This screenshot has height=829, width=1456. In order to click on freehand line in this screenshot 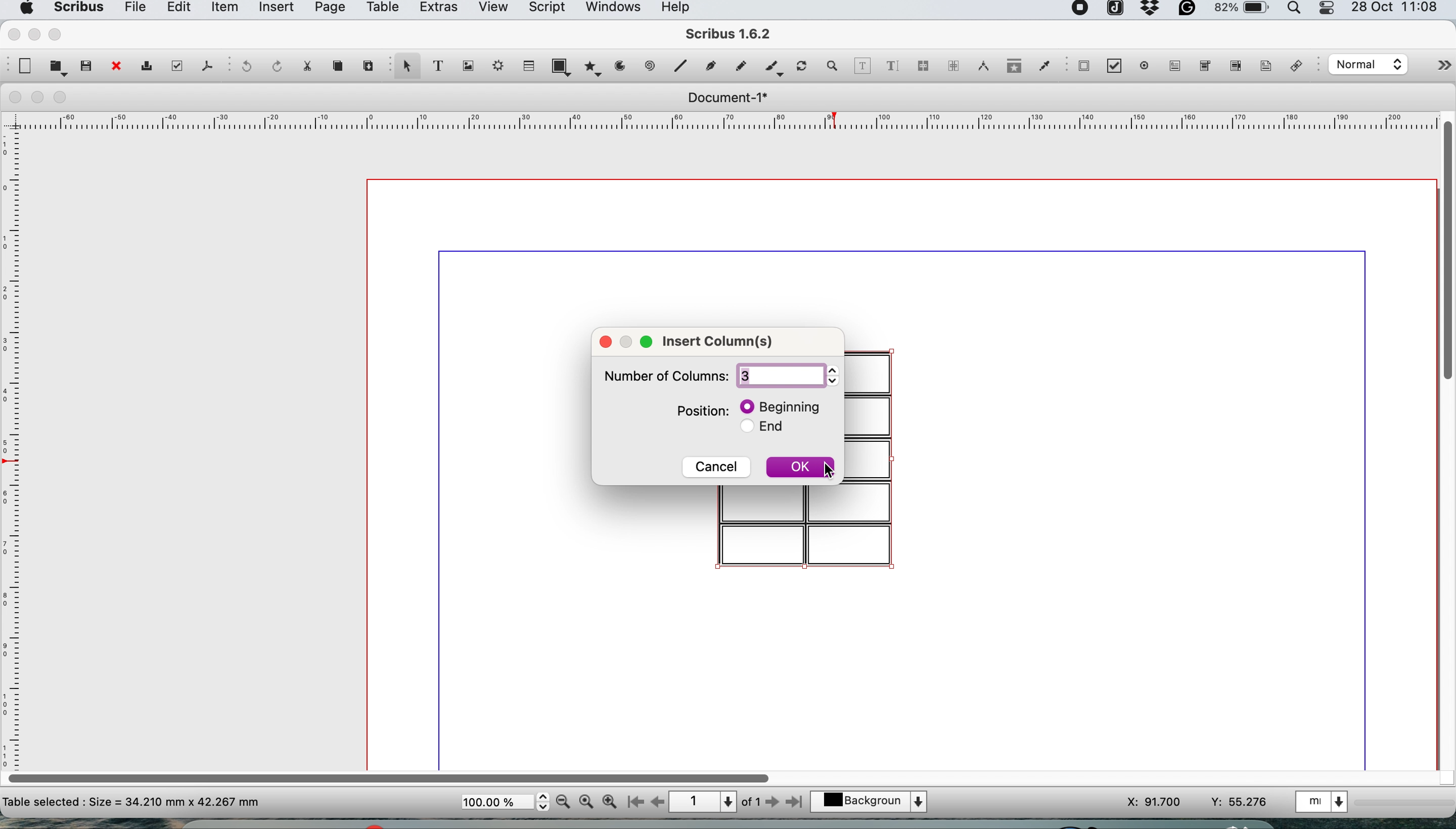, I will do `click(738, 66)`.